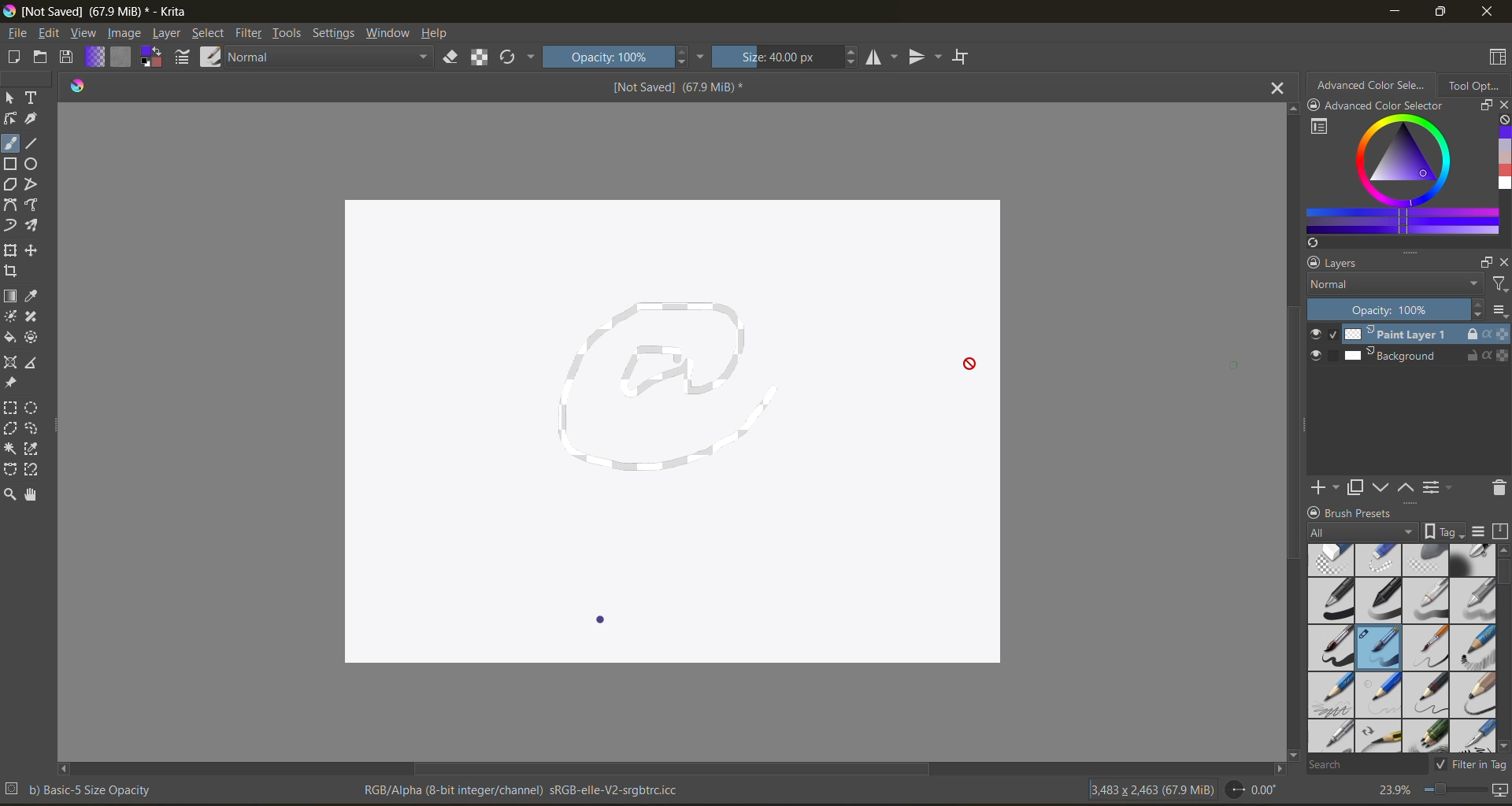 The height and width of the screenshot is (806, 1512). What do you see at coordinates (1279, 771) in the screenshot?
I see `scroll left` at bounding box center [1279, 771].